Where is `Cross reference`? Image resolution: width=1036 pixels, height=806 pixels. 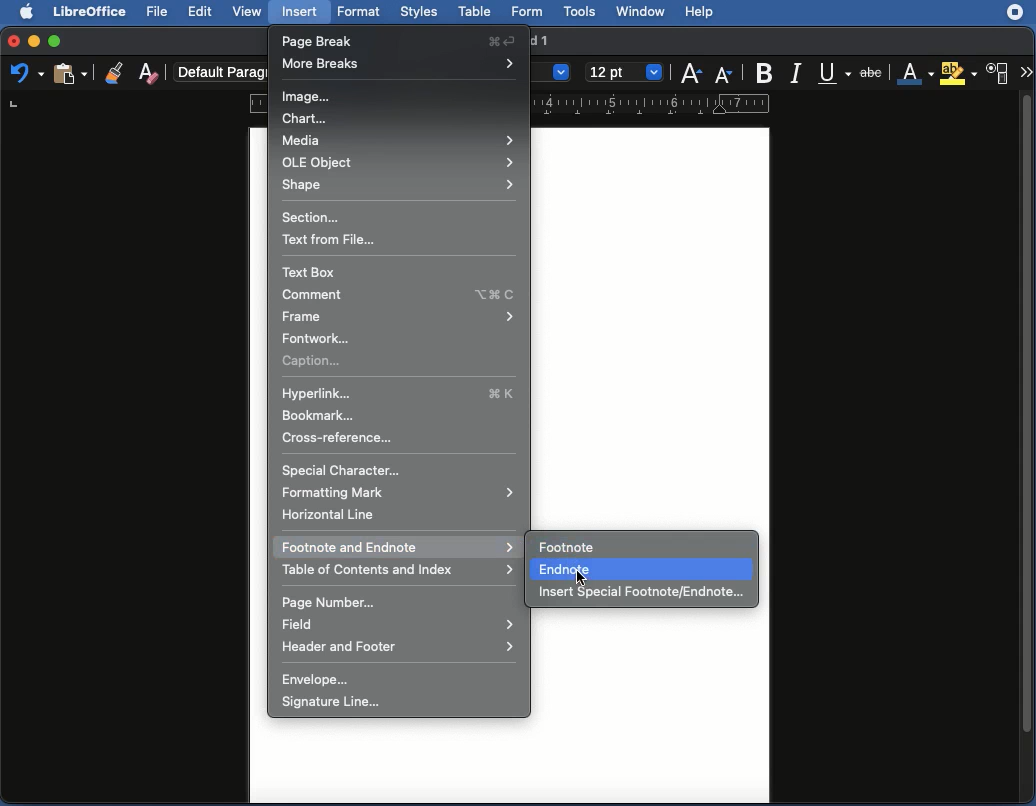
Cross reference is located at coordinates (339, 438).